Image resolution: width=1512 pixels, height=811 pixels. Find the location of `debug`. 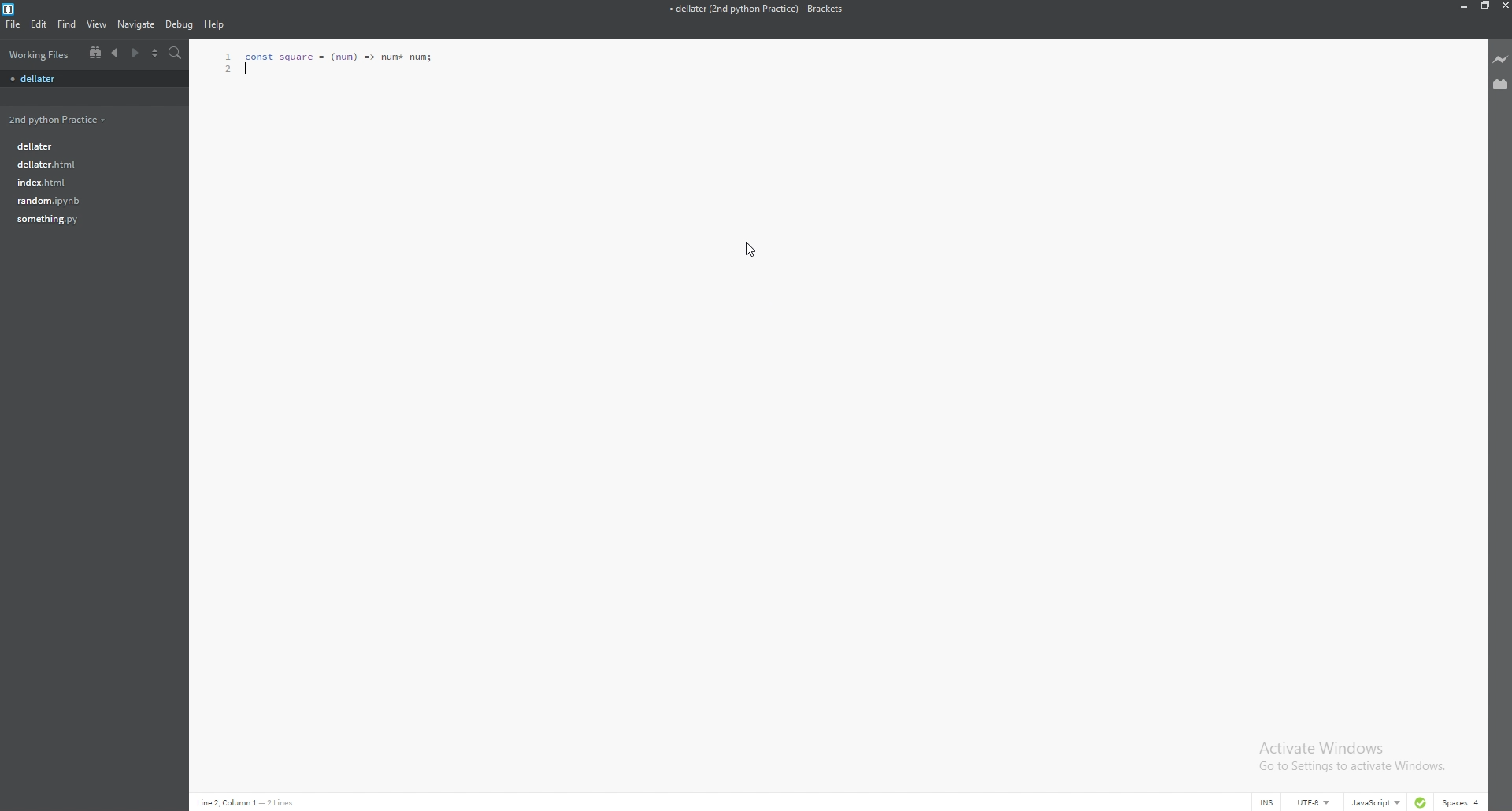

debug is located at coordinates (180, 24).